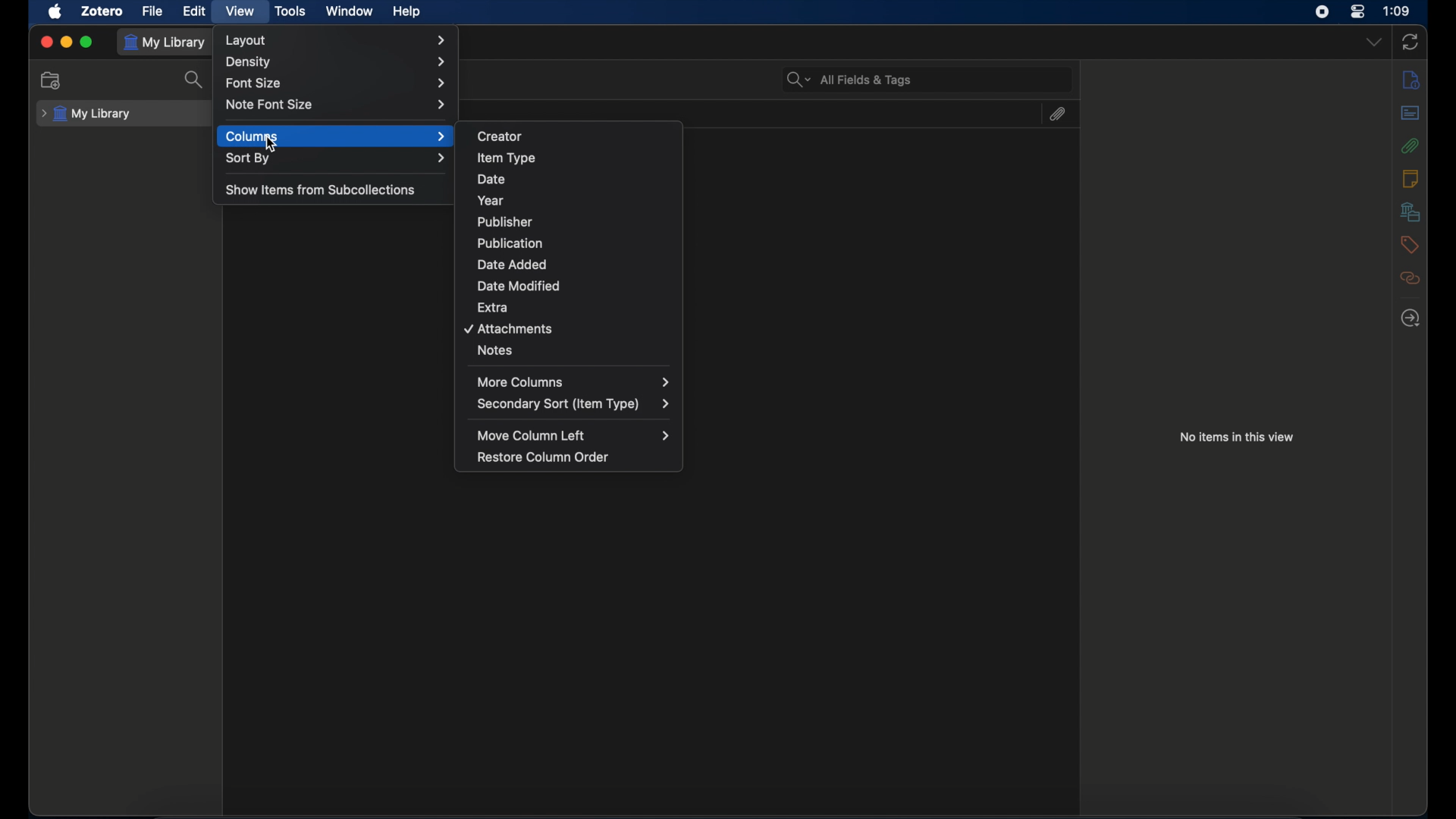 This screenshot has width=1456, height=819. I want to click on my library, so click(168, 42).